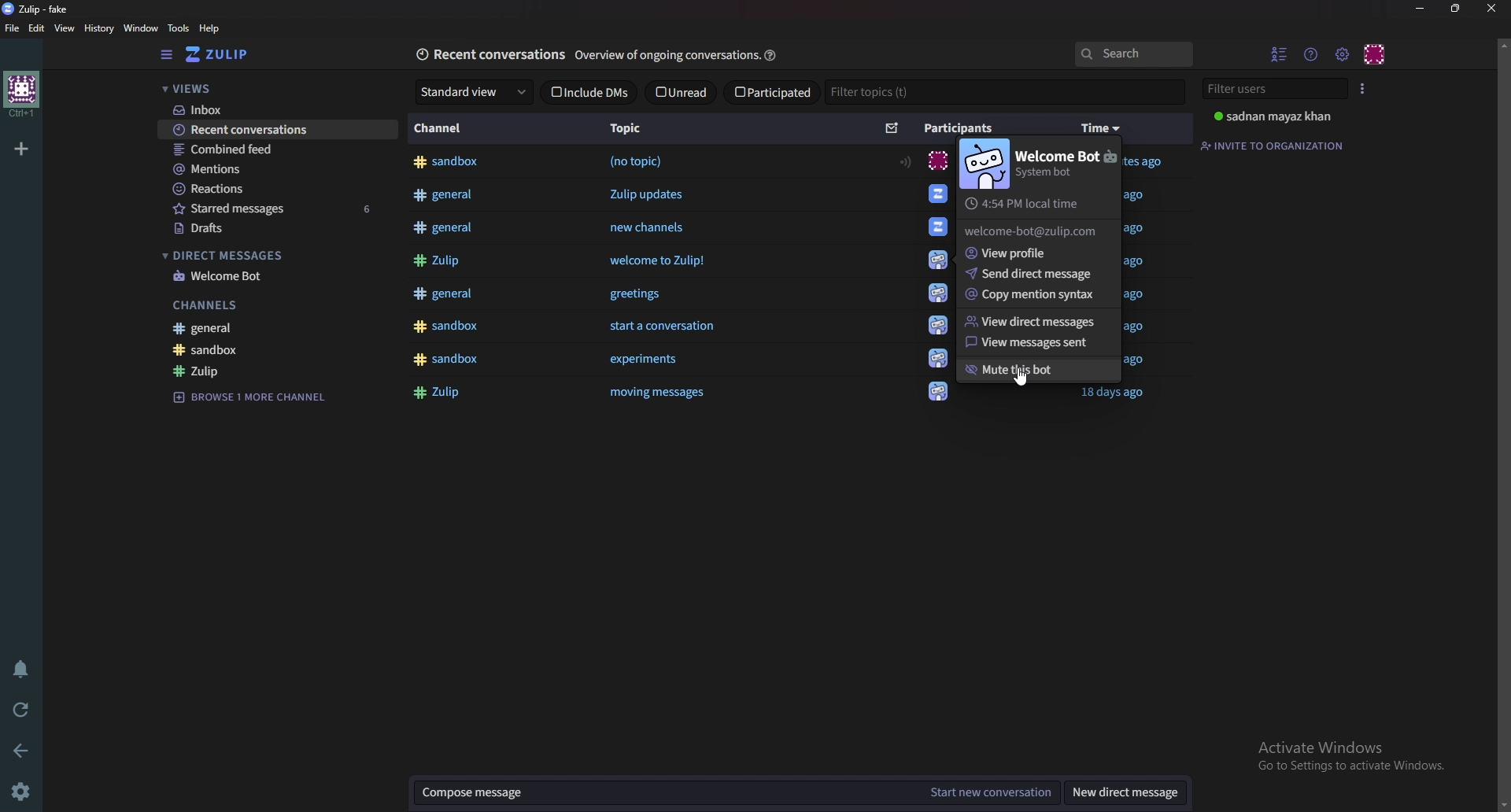 The height and width of the screenshot is (812, 1511). Describe the element at coordinates (1023, 377) in the screenshot. I see `cursor` at that location.